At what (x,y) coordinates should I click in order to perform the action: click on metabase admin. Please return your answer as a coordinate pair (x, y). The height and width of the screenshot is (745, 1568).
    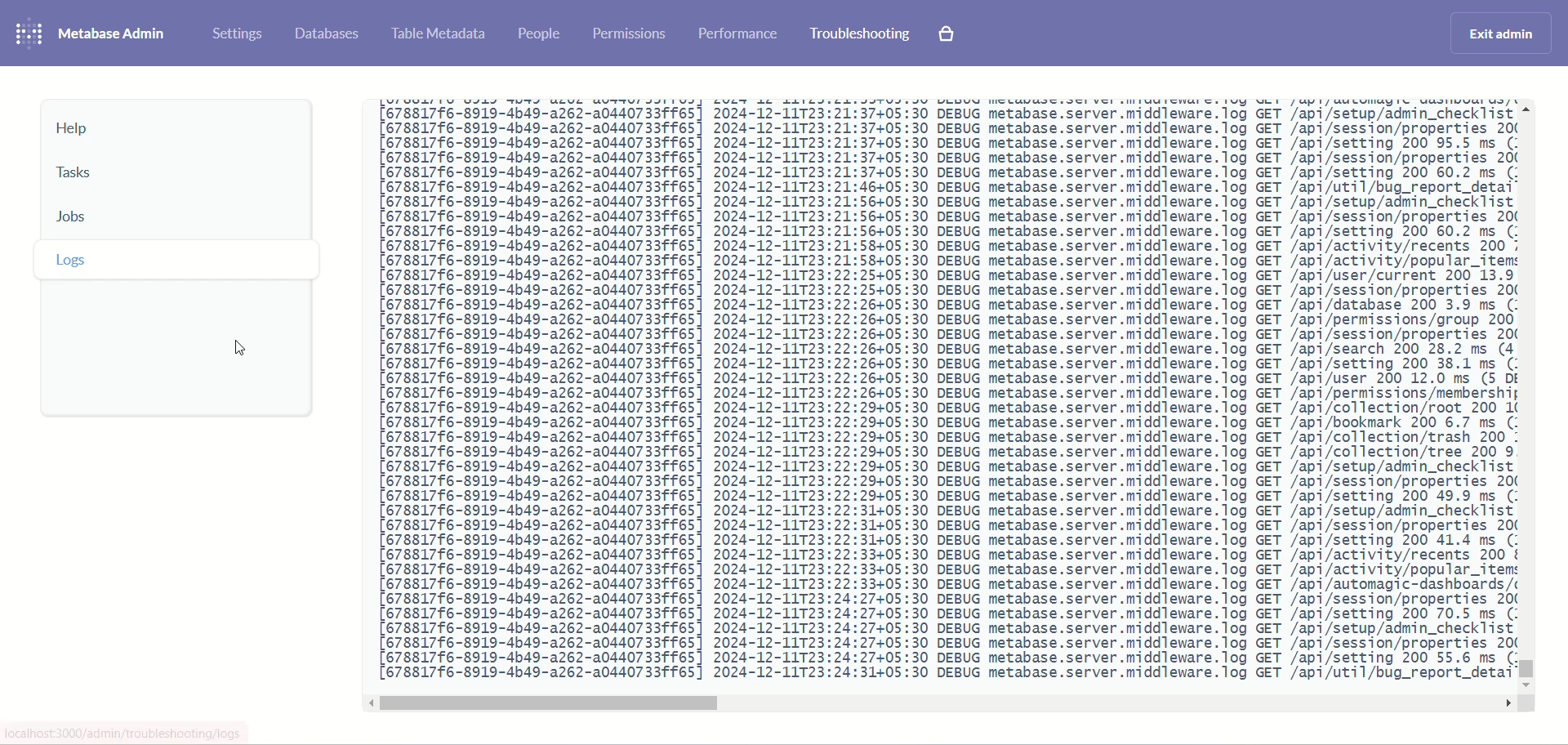
    Looking at the image, I should click on (114, 33).